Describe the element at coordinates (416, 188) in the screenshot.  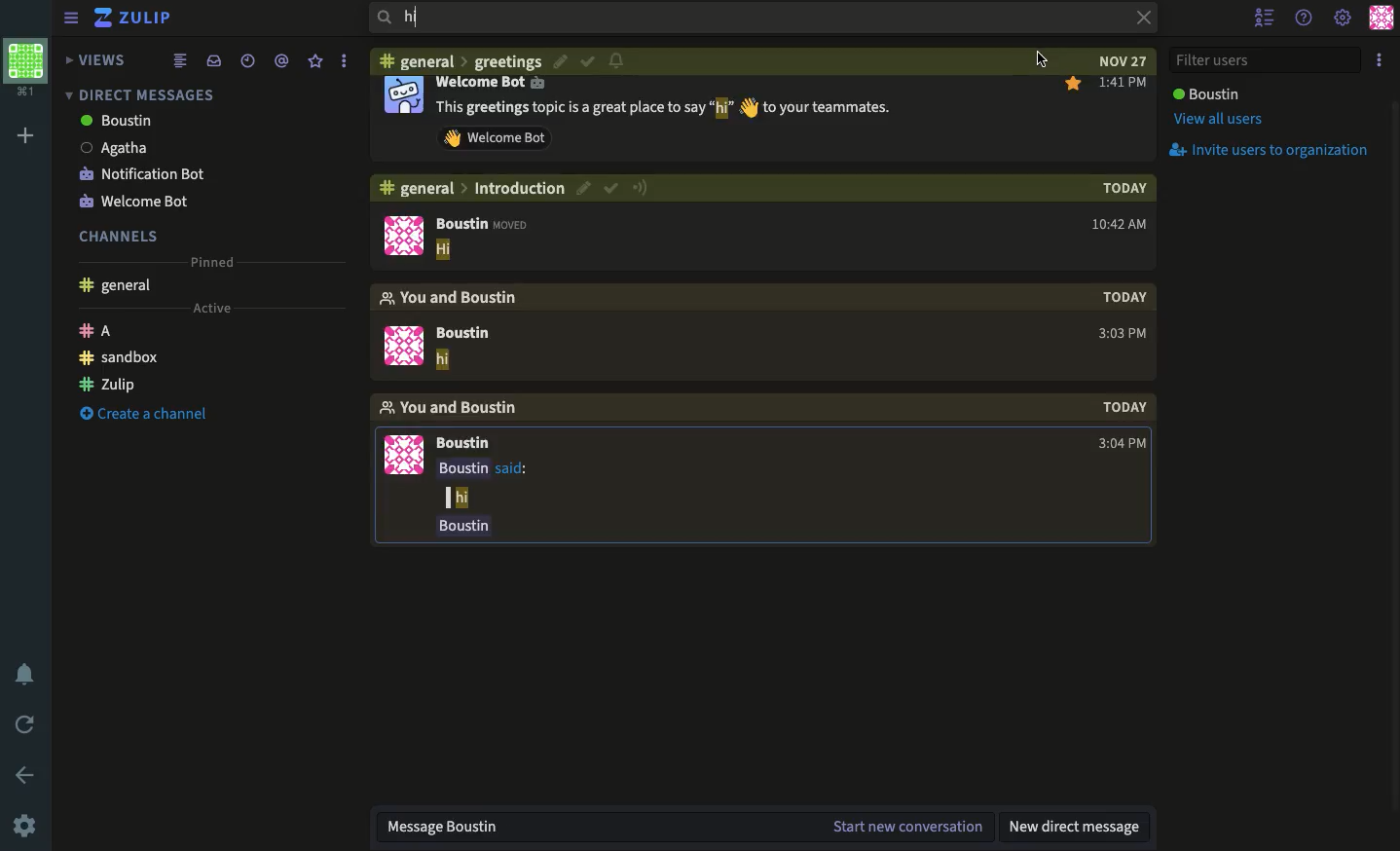
I see `general` at that location.